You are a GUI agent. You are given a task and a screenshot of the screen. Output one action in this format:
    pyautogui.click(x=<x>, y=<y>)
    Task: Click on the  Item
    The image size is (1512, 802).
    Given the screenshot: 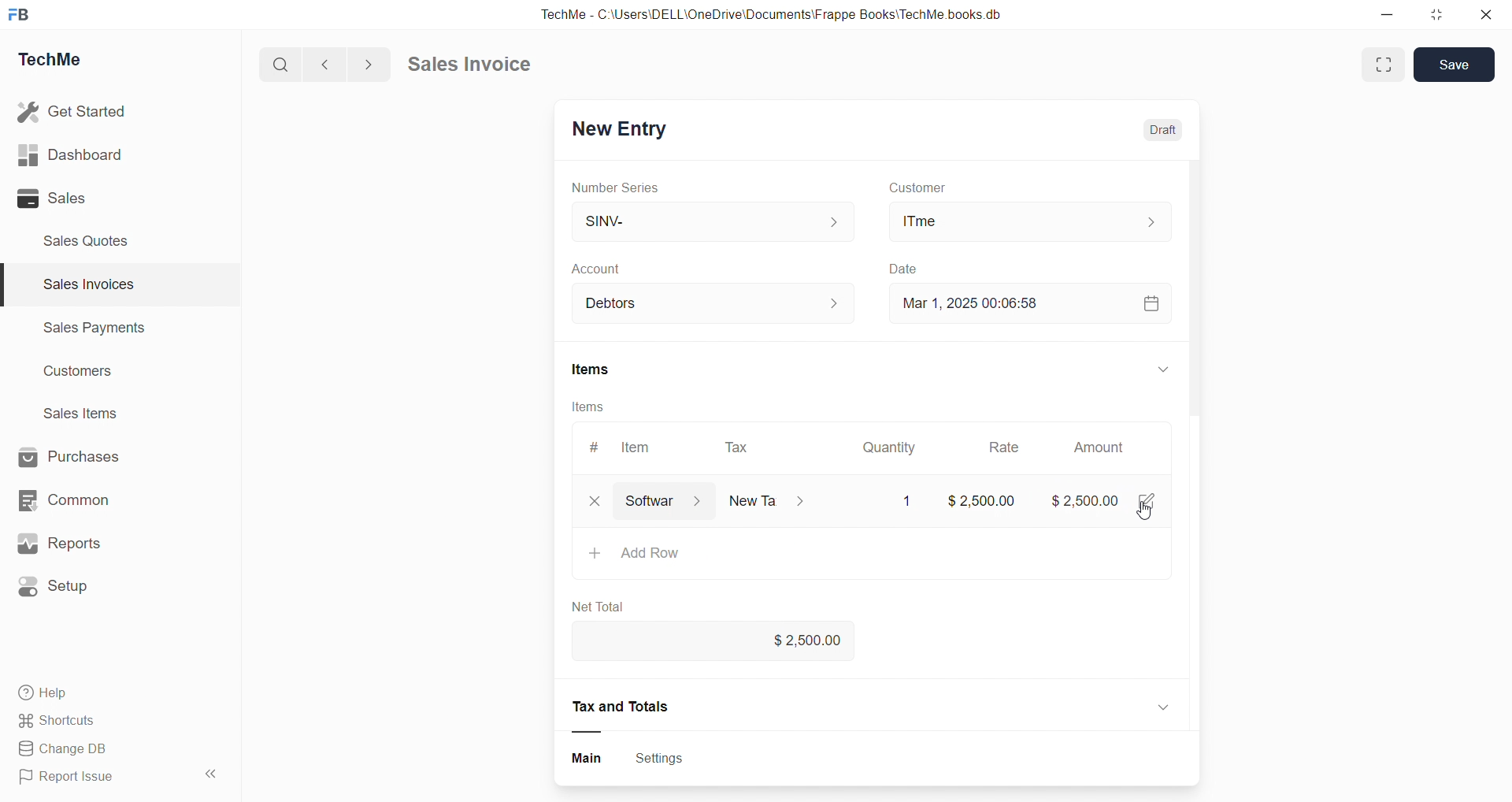 What is the action you would take?
    pyautogui.click(x=632, y=498)
    